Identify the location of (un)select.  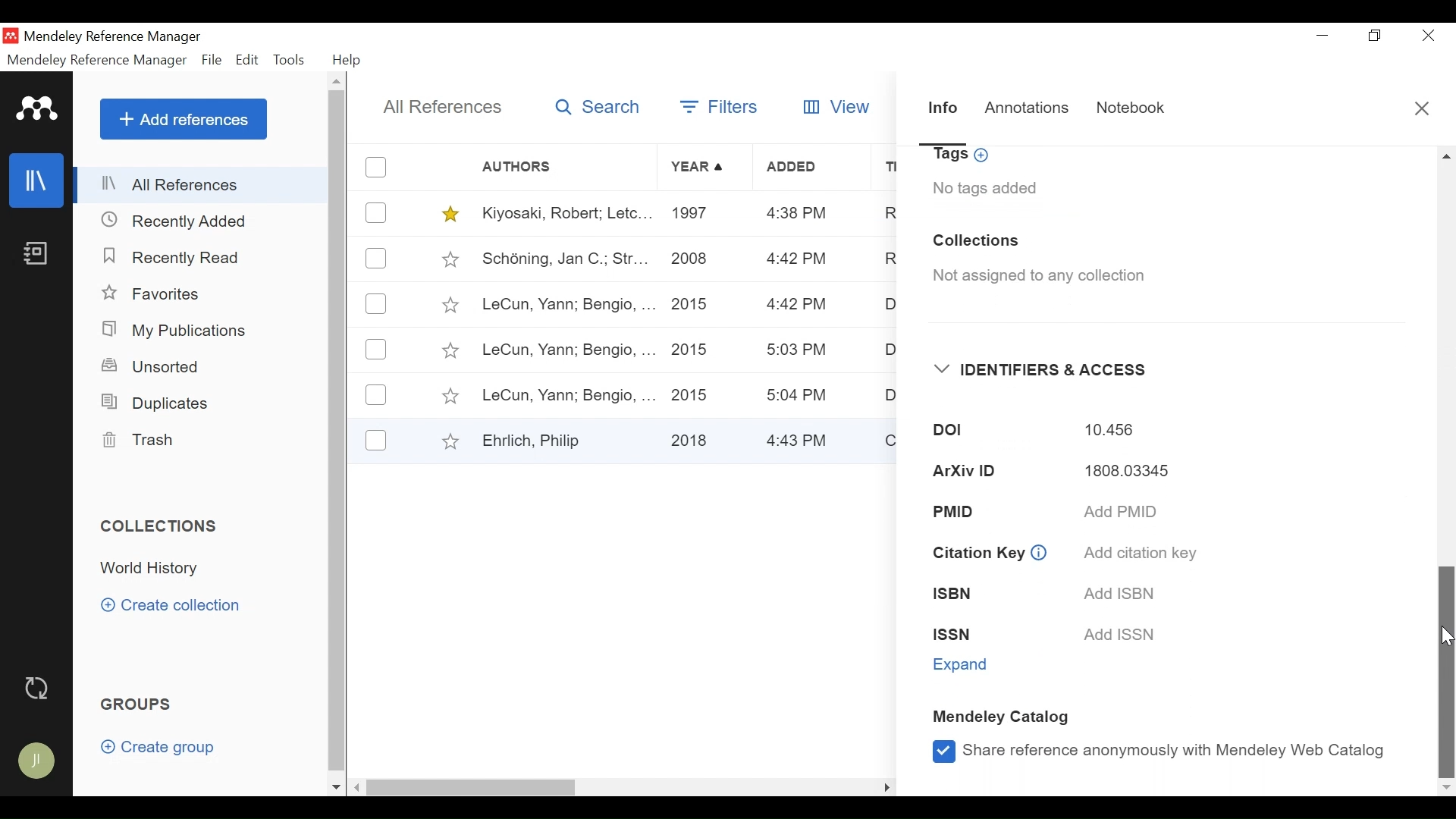
(376, 350).